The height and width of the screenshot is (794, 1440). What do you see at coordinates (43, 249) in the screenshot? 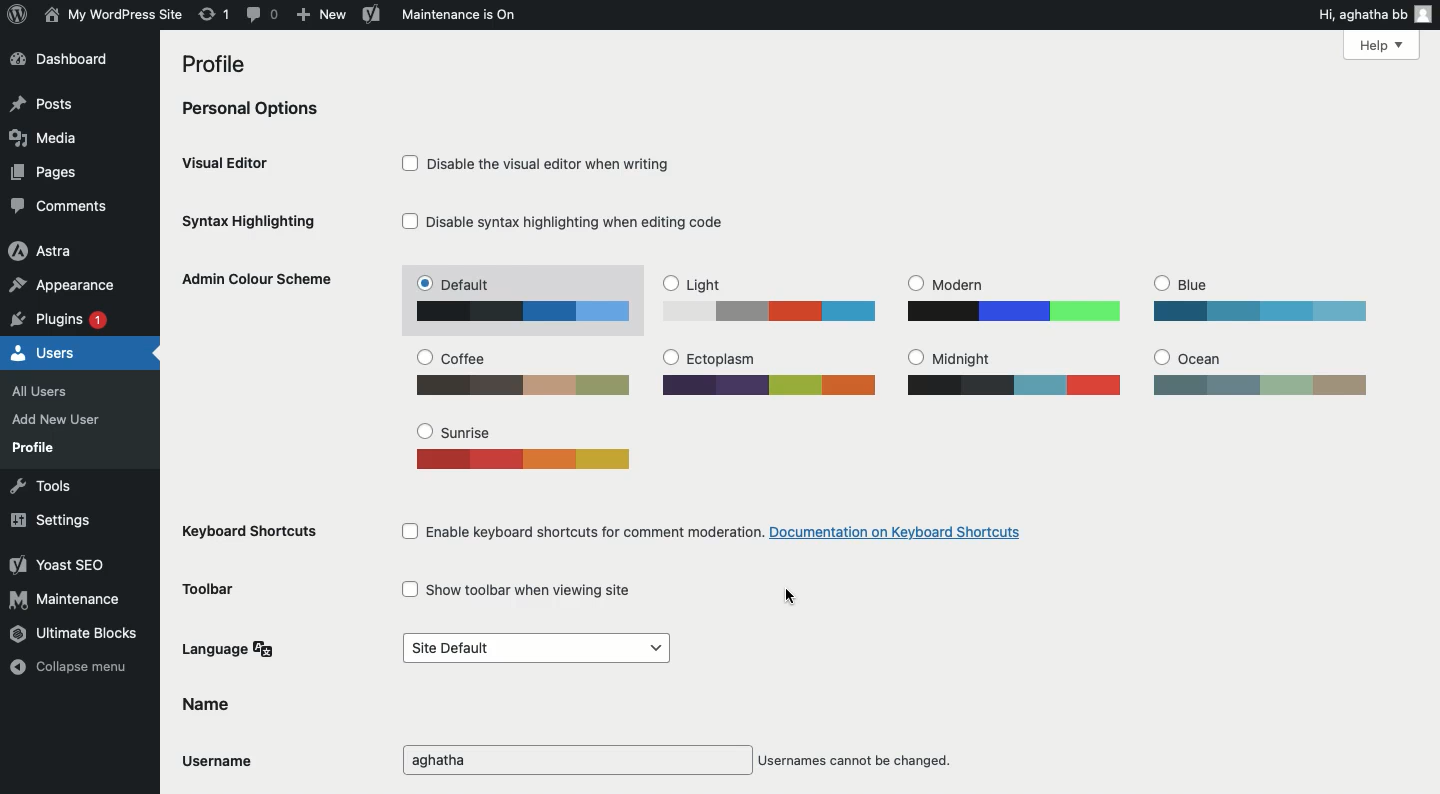
I see `Astra` at bounding box center [43, 249].